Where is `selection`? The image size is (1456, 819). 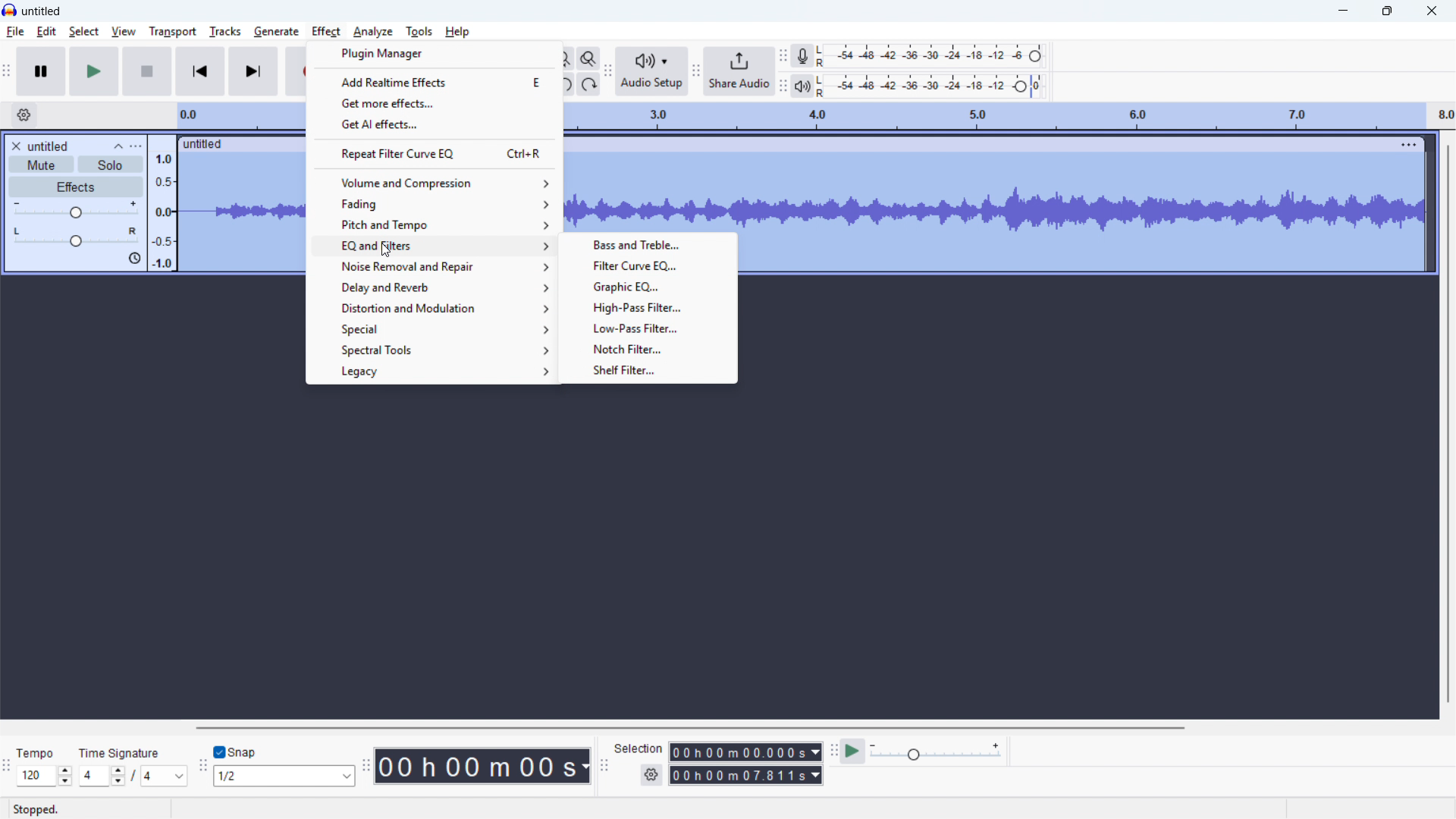
selection is located at coordinates (639, 748).